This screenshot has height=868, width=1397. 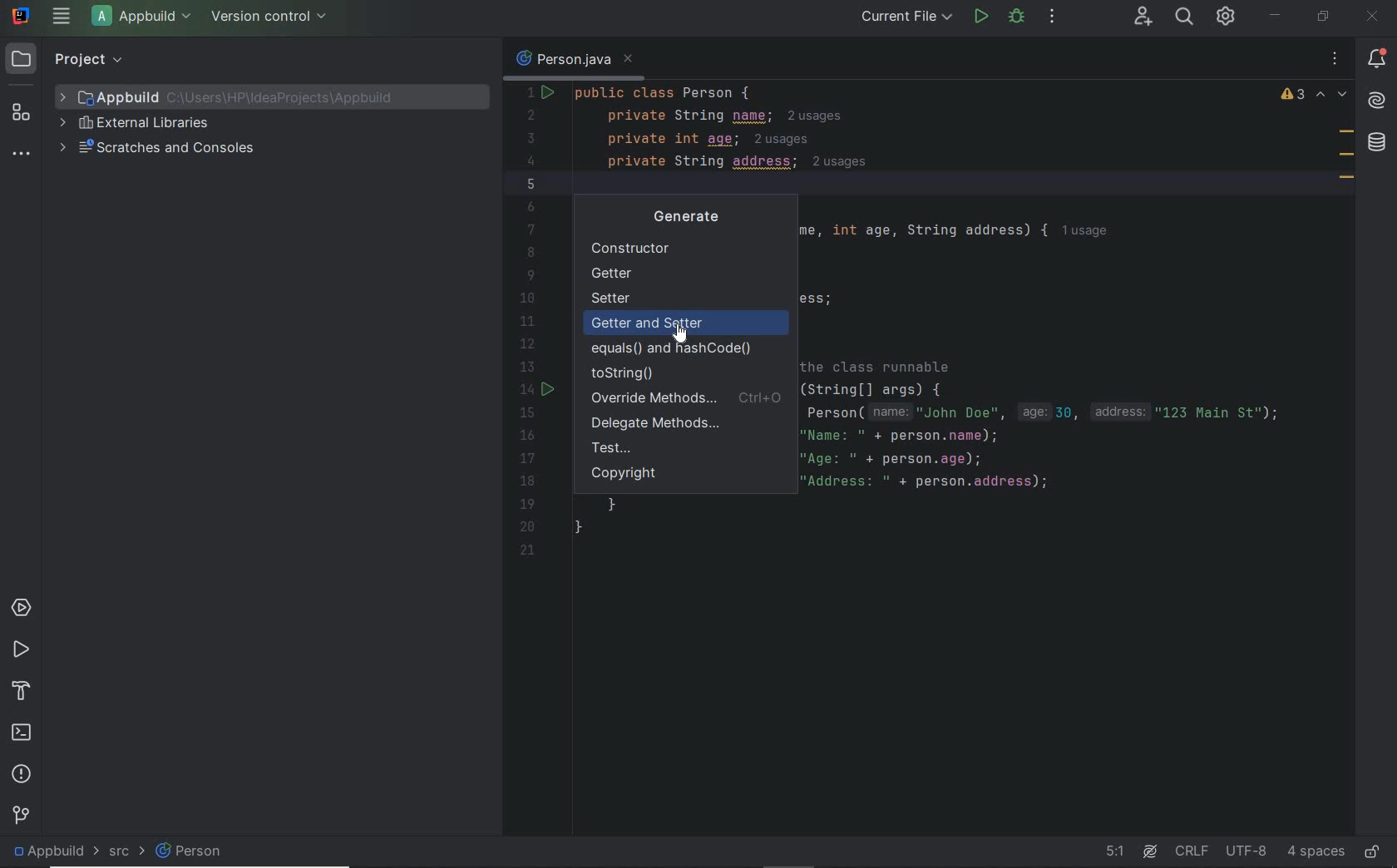 What do you see at coordinates (116, 854) in the screenshot?
I see `src` at bounding box center [116, 854].